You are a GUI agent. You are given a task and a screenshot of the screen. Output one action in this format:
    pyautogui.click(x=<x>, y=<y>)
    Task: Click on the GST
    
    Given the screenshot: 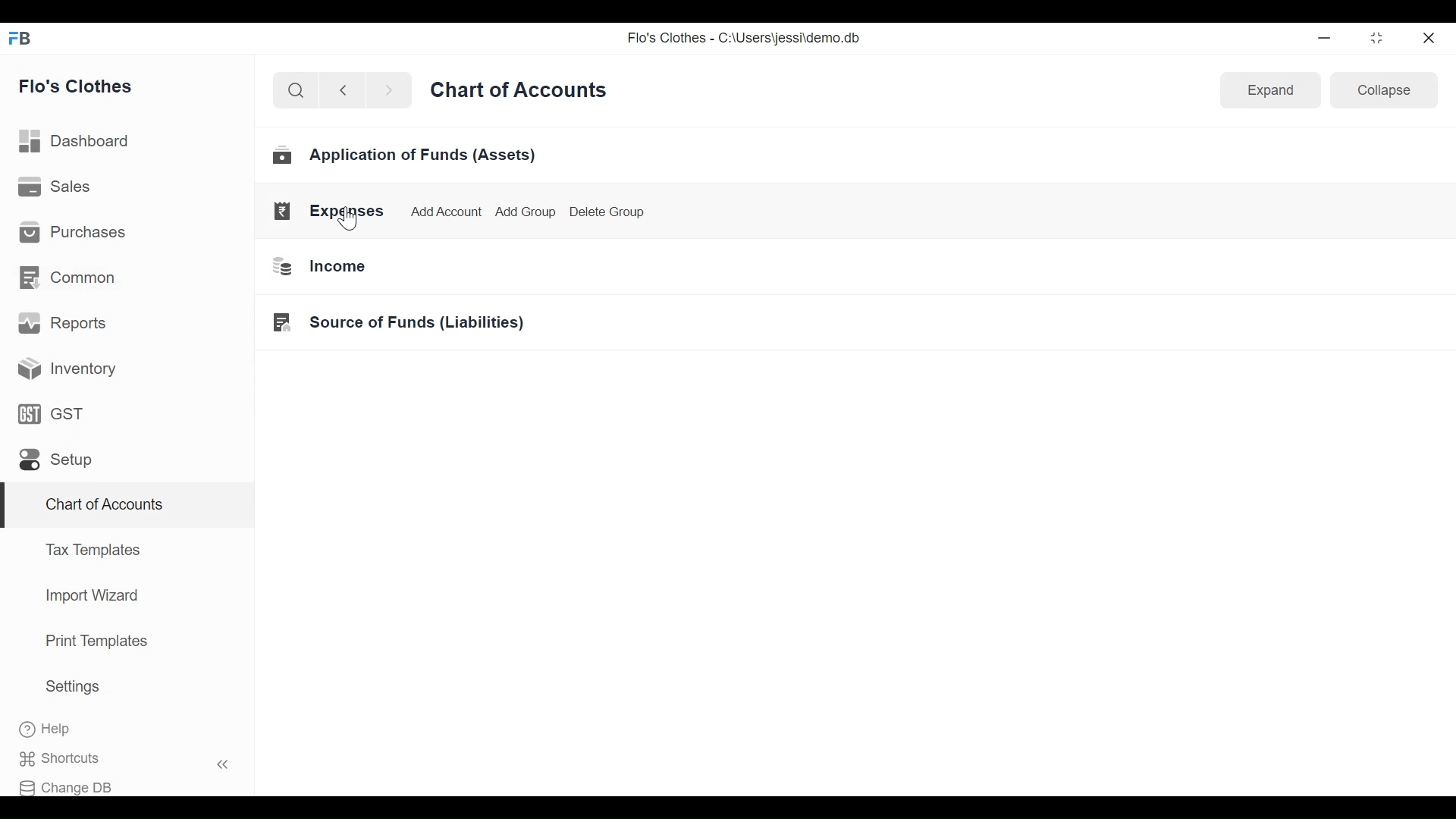 What is the action you would take?
    pyautogui.click(x=52, y=416)
    